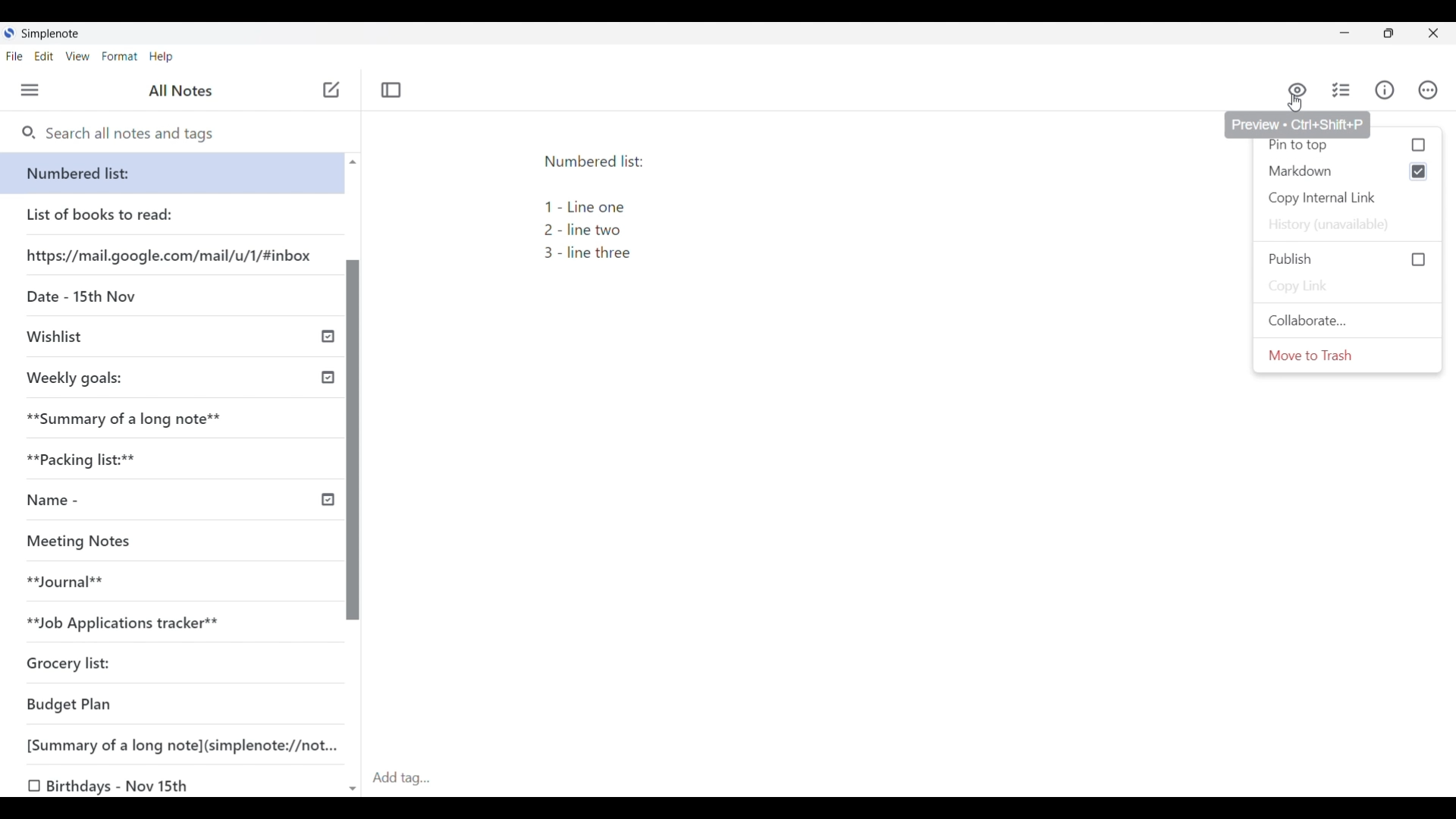 Image resolution: width=1456 pixels, height=819 pixels. I want to click on File menu, so click(14, 56).